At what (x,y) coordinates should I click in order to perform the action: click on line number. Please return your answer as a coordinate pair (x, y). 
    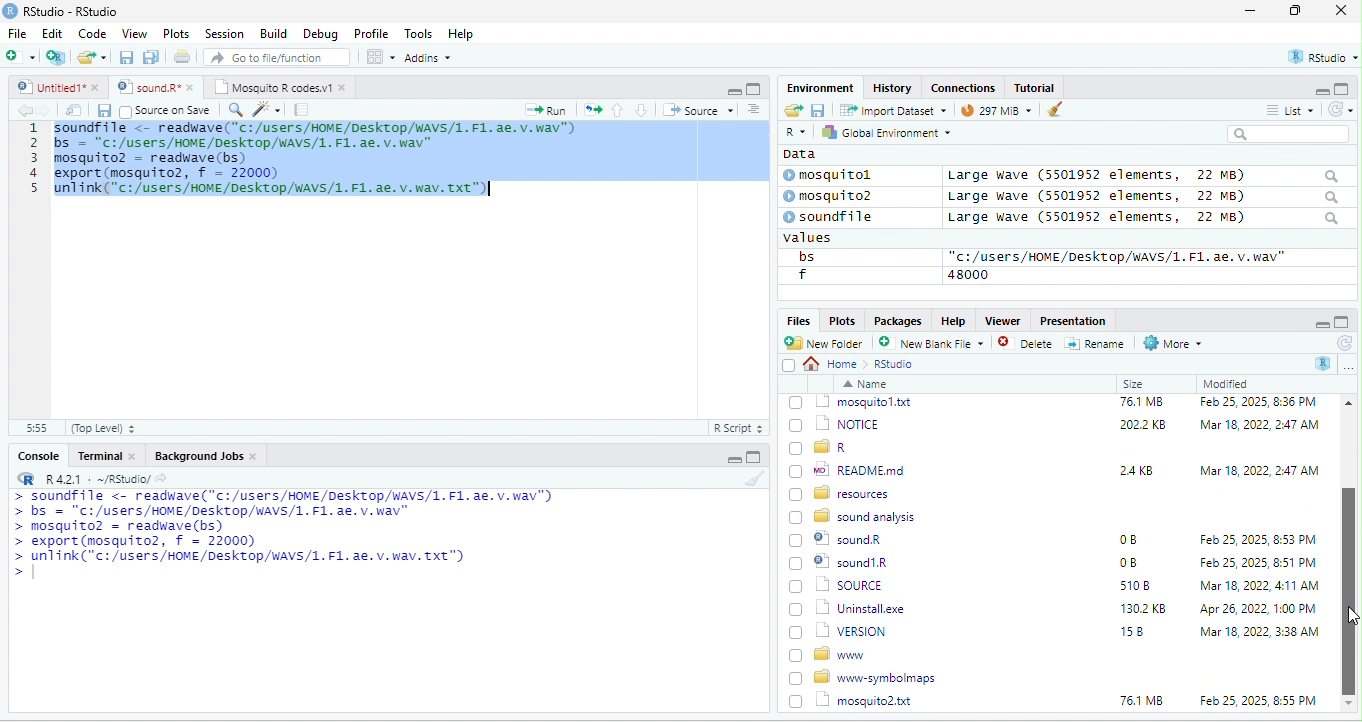
    Looking at the image, I should click on (40, 268).